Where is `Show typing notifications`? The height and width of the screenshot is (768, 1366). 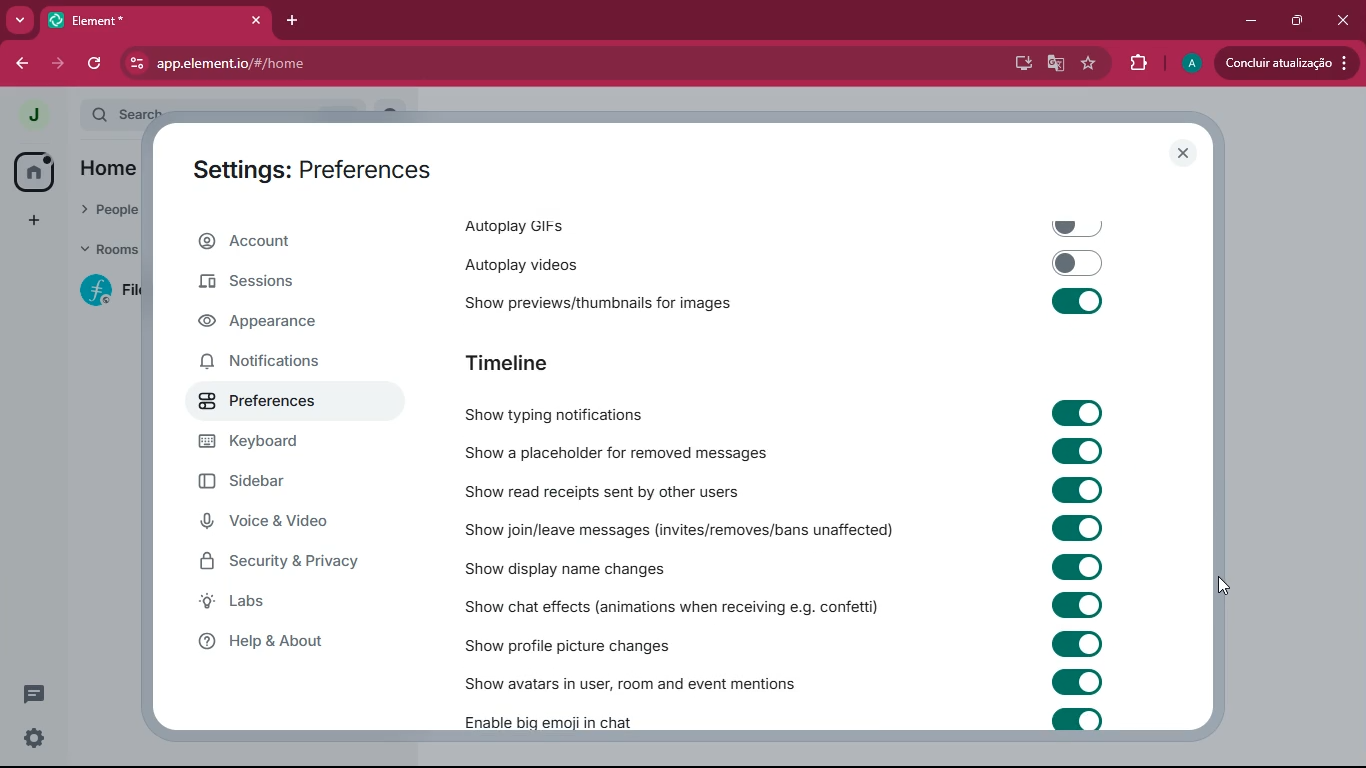 Show typing notifications is located at coordinates (784, 411).